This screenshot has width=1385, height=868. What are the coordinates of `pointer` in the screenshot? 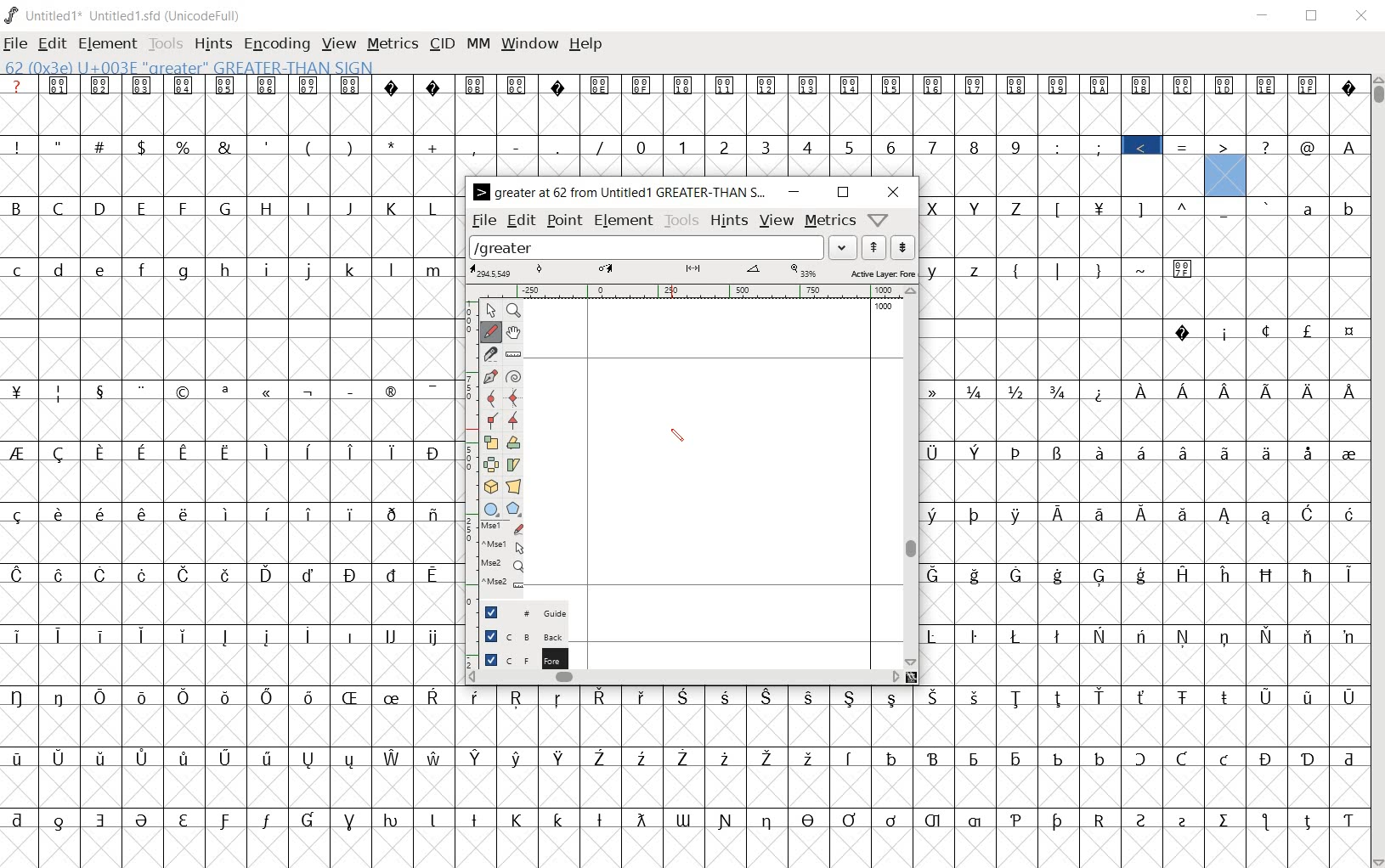 It's located at (490, 311).